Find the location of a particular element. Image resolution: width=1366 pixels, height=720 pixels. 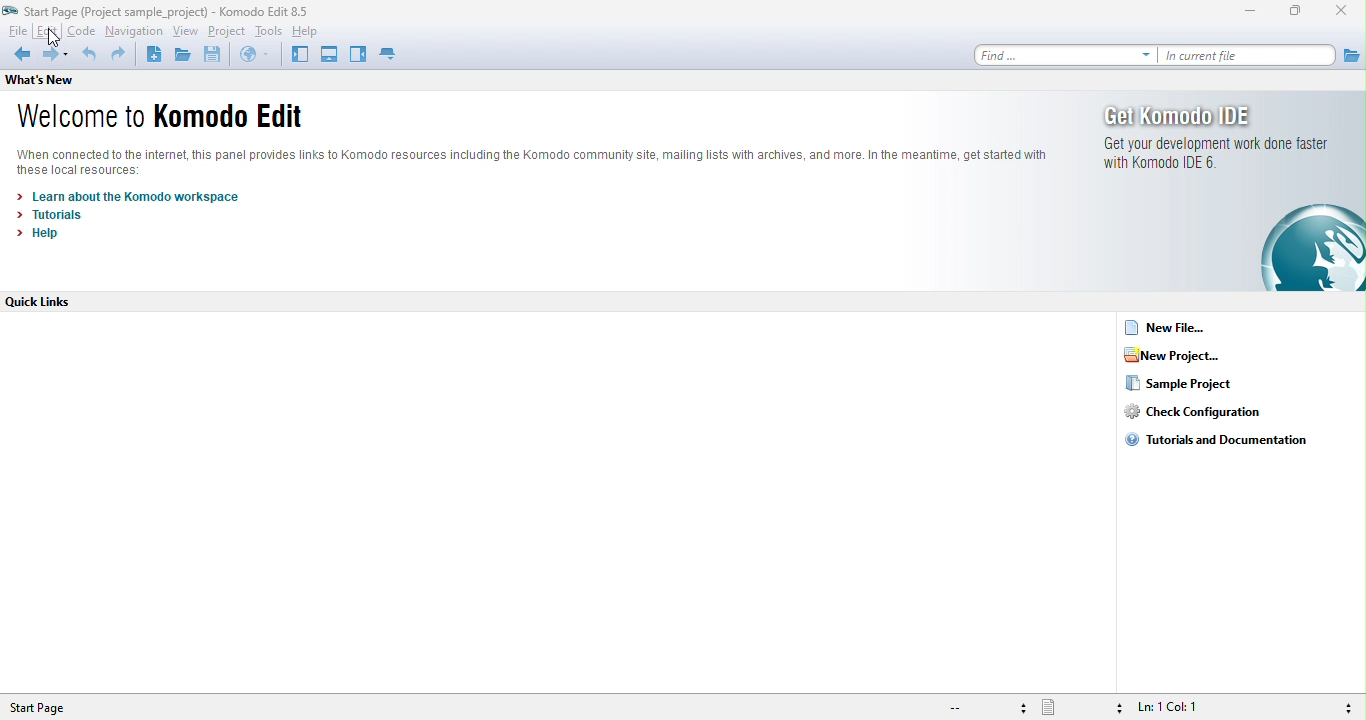

edit is located at coordinates (50, 31).